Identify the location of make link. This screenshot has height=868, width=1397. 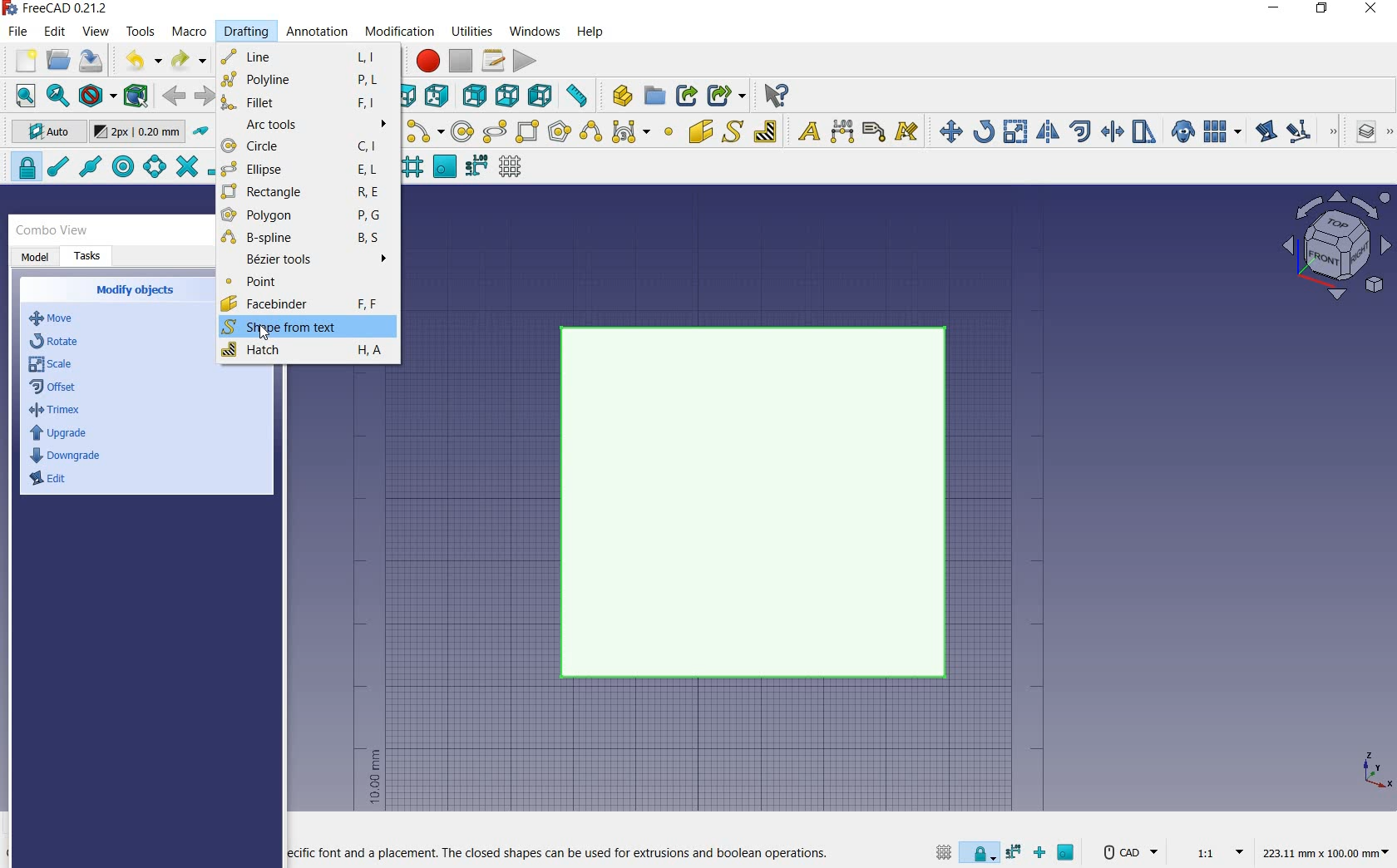
(687, 94).